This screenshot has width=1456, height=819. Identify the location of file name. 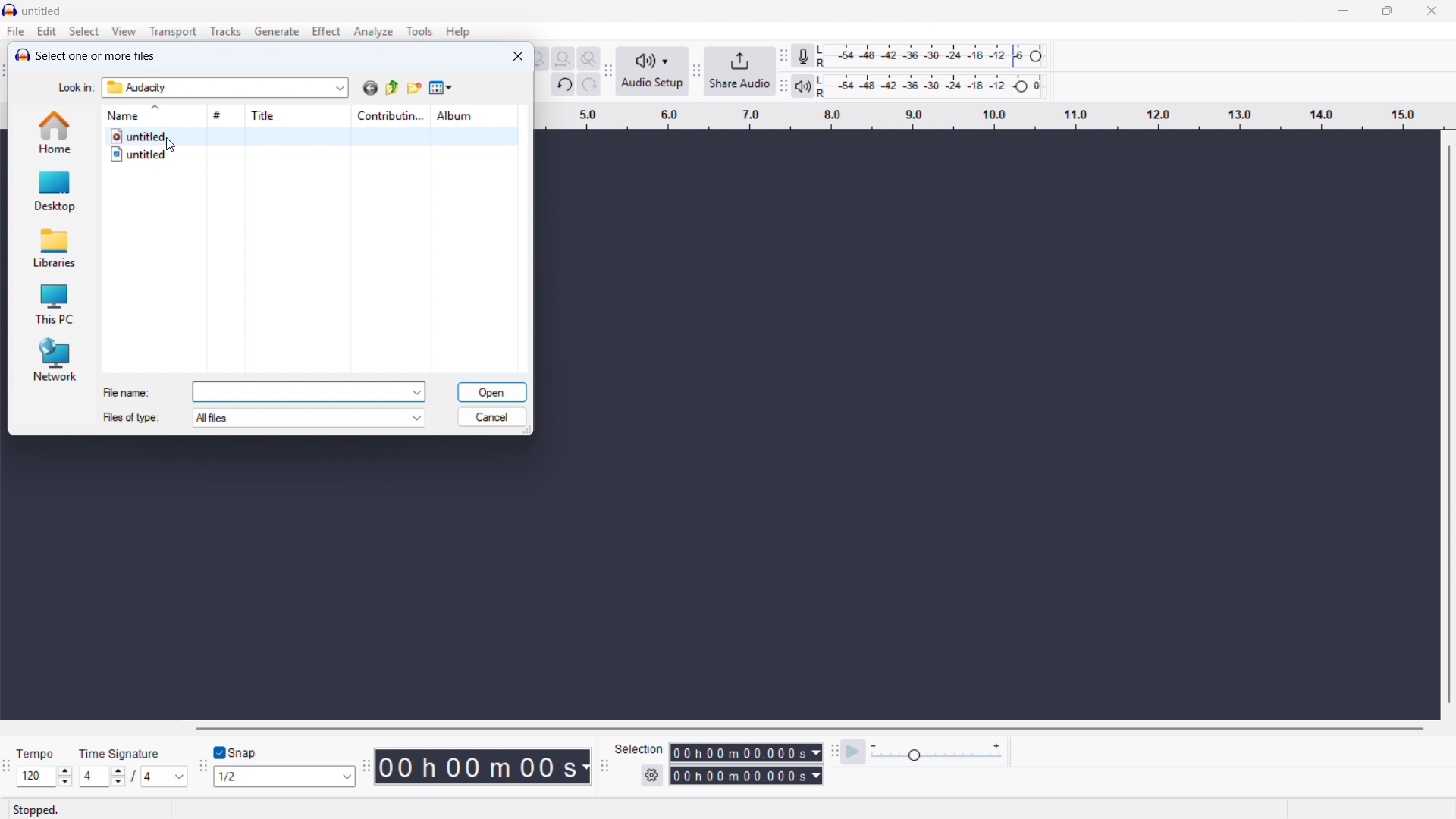
(127, 392).